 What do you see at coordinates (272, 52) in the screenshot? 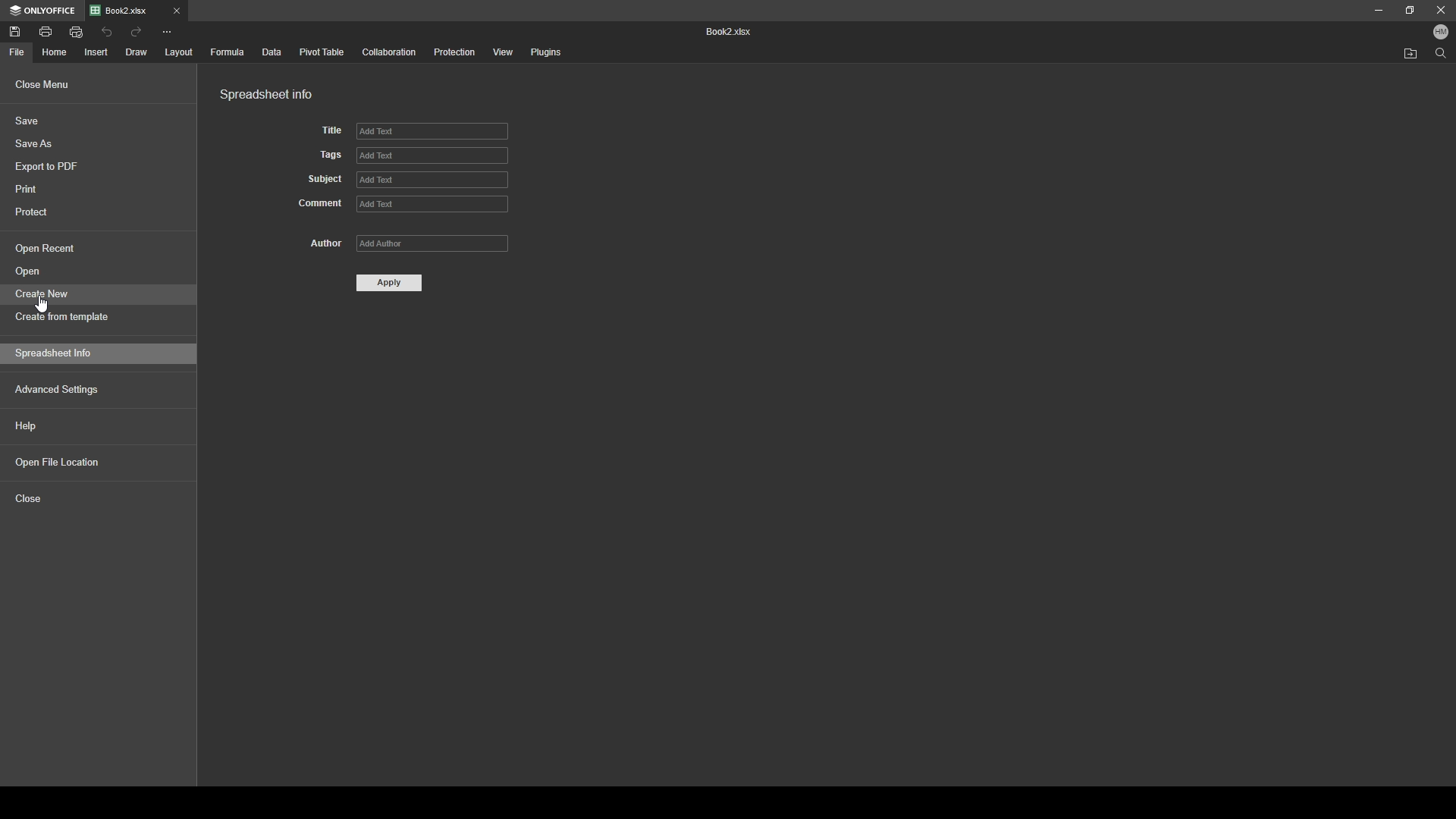
I see `data` at bounding box center [272, 52].